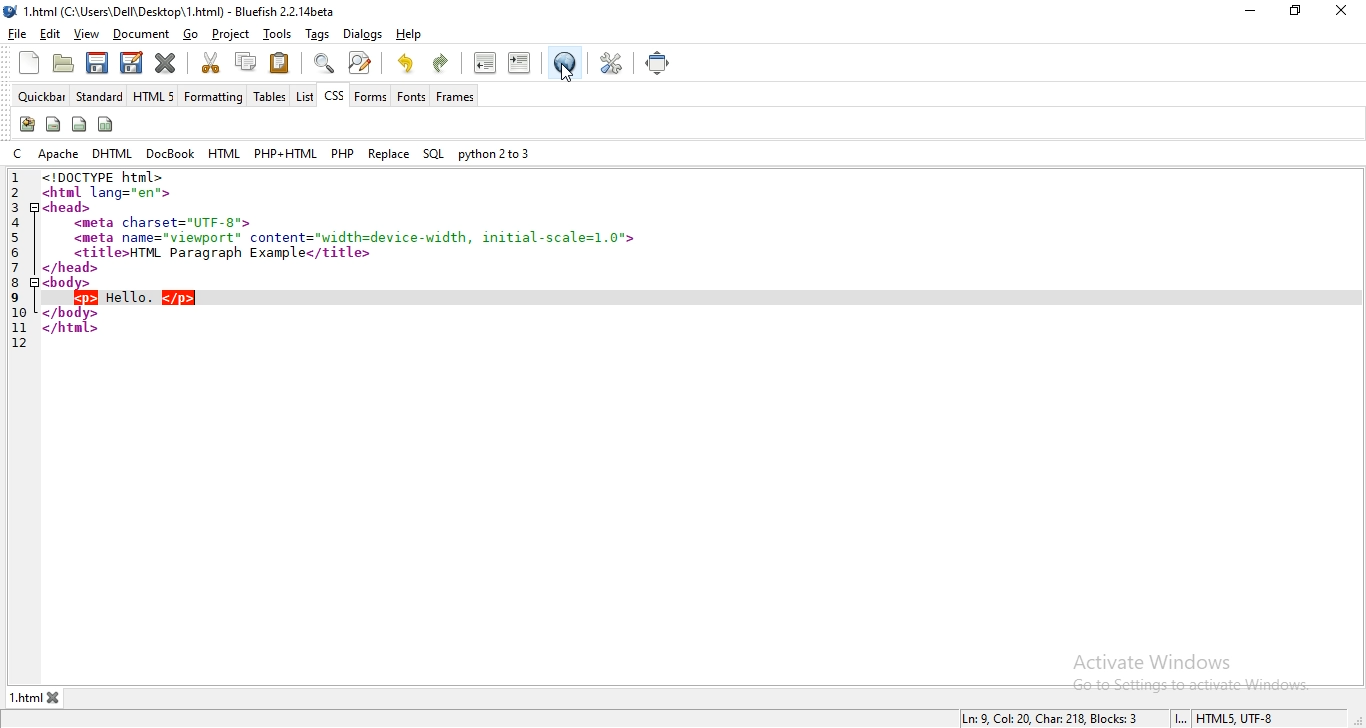 The width and height of the screenshot is (1366, 728). Describe the element at coordinates (12, 11) in the screenshot. I see `logo` at that location.